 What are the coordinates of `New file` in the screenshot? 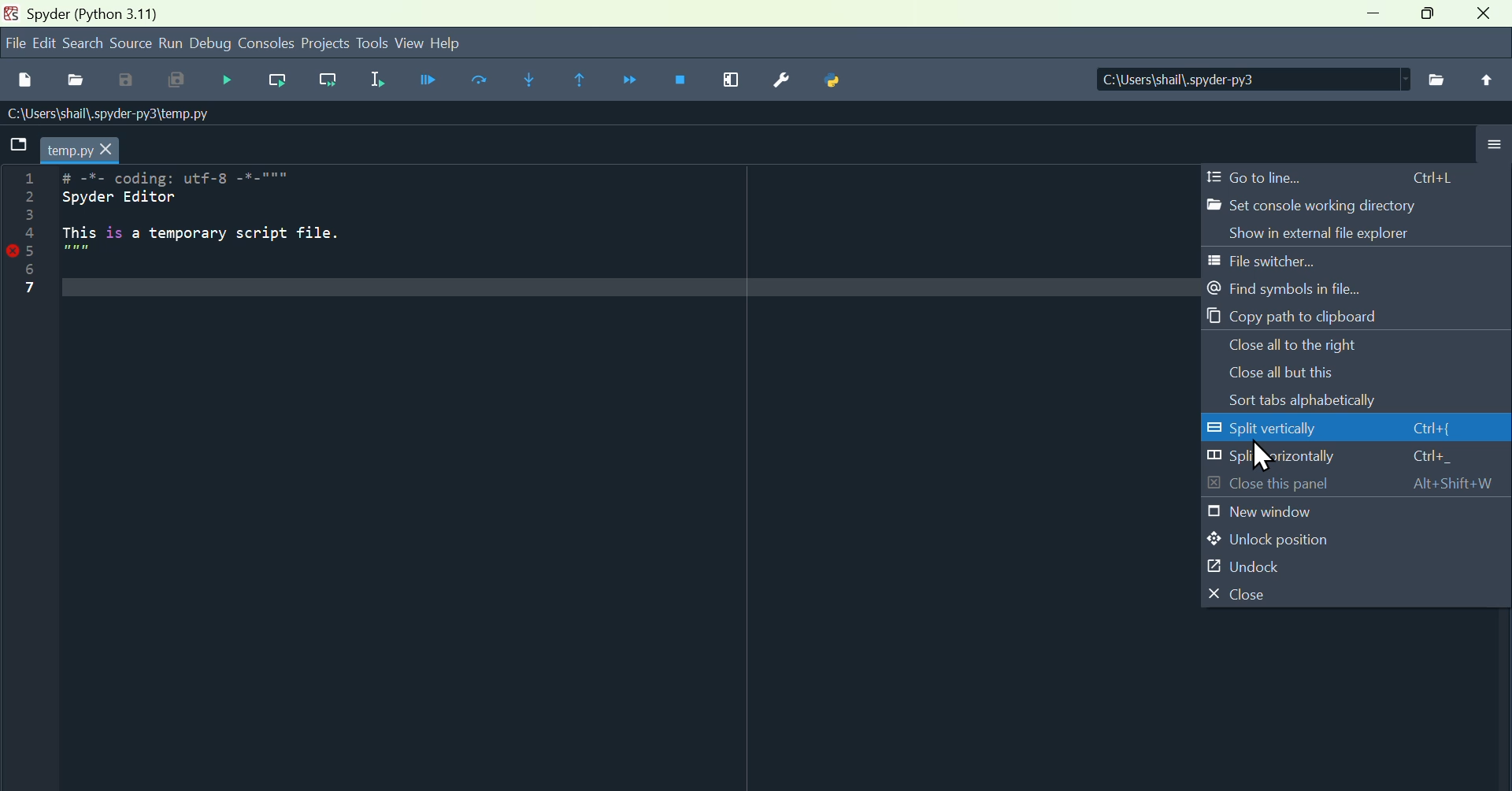 It's located at (29, 81).